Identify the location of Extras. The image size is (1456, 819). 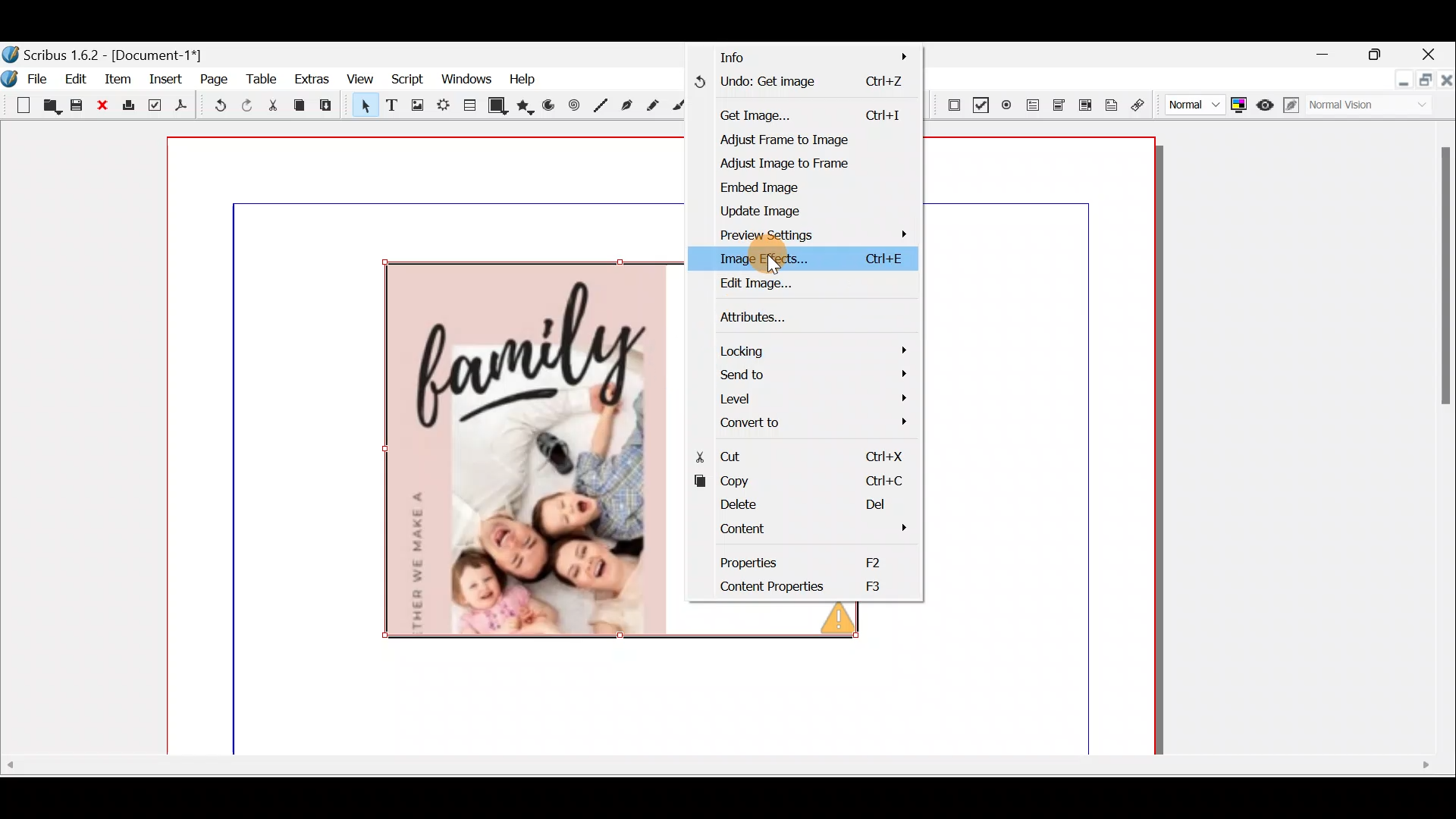
(311, 78).